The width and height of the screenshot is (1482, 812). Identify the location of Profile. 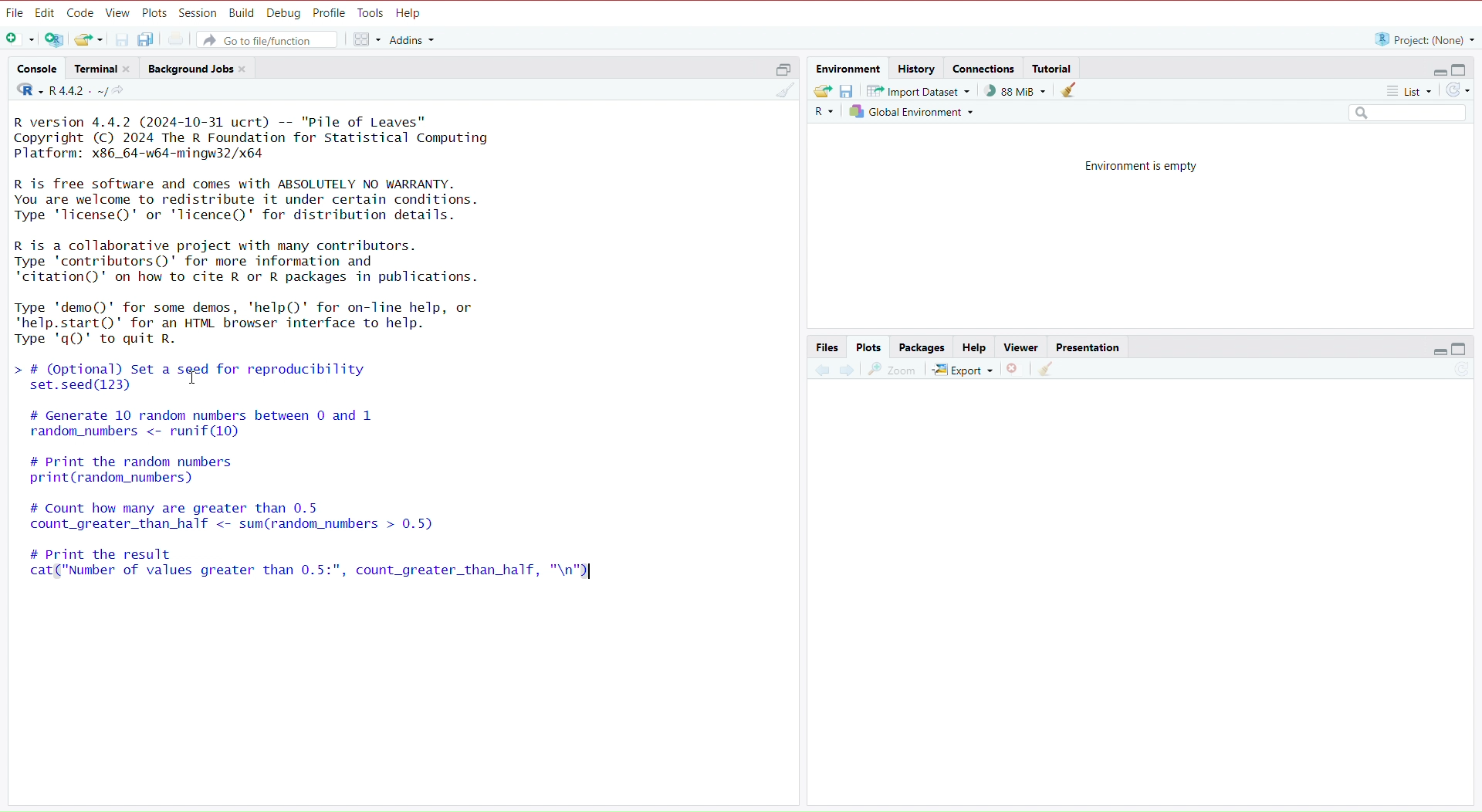
(330, 12).